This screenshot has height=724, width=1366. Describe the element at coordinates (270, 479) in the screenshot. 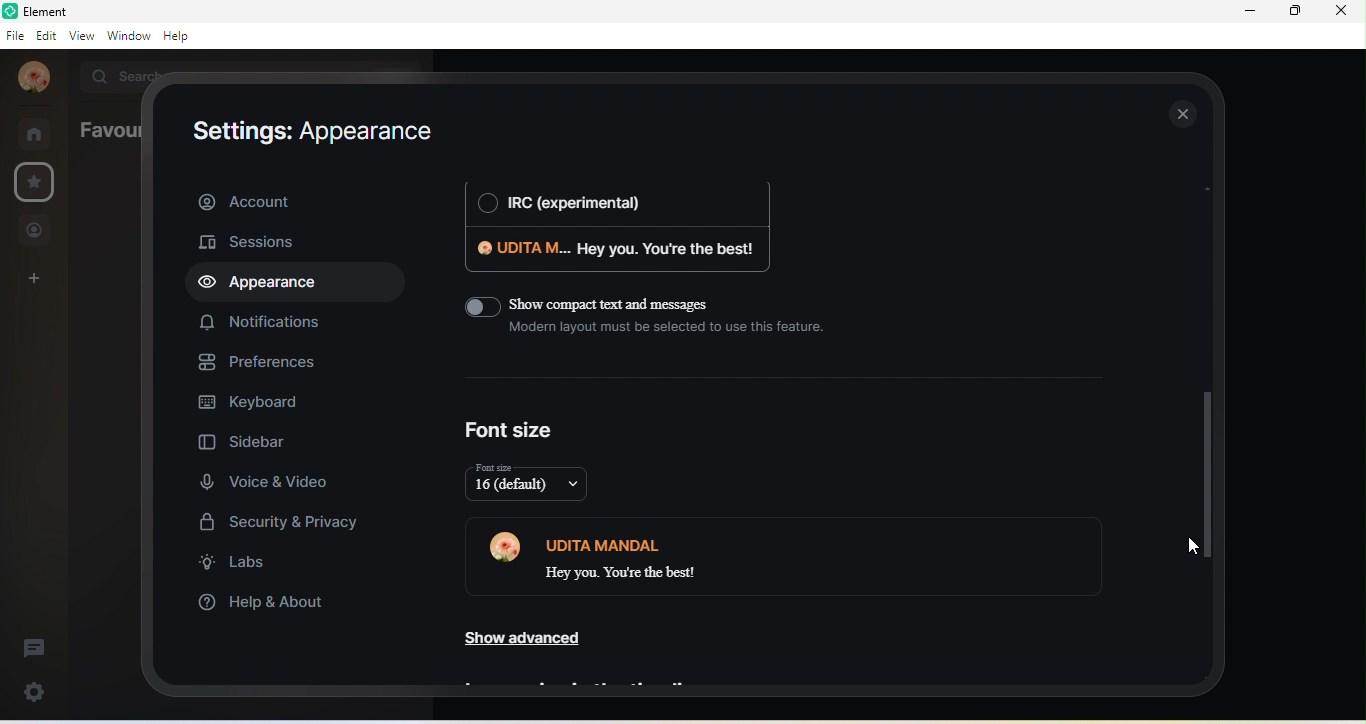

I see `voice and video` at that location.